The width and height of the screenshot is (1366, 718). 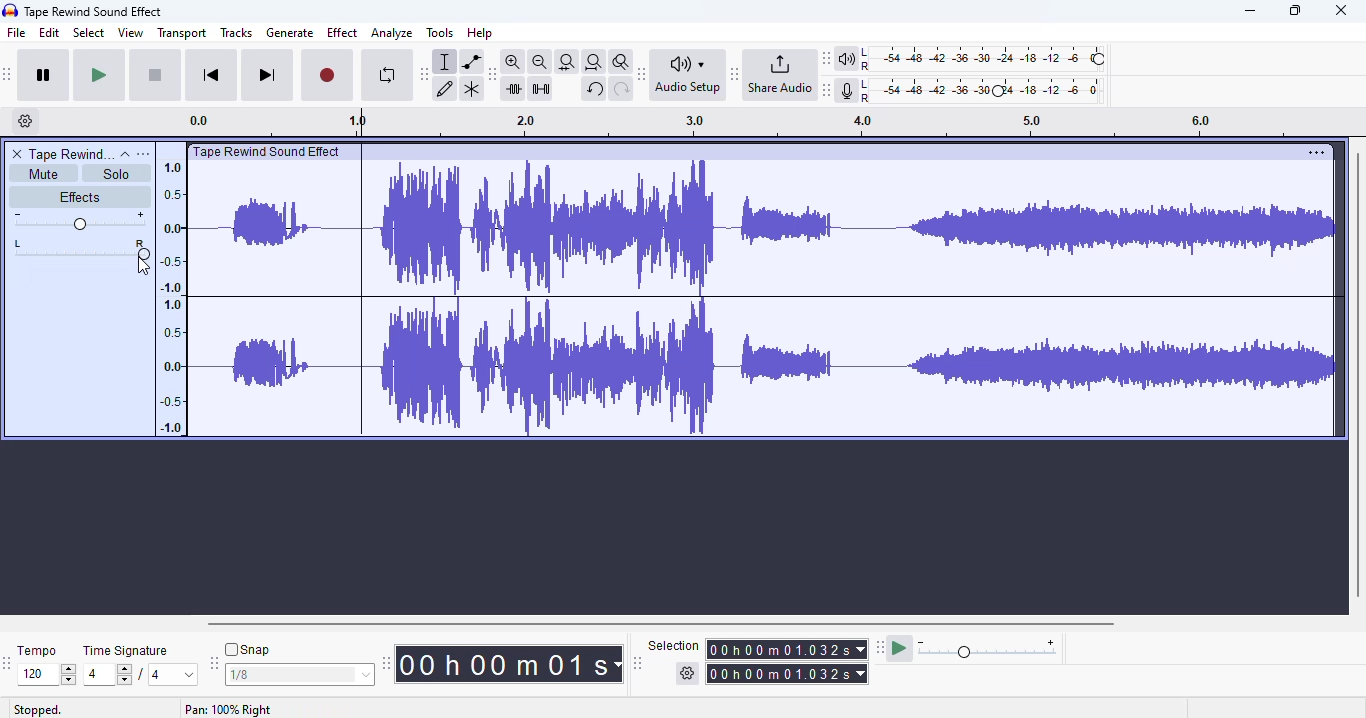 What do you see at coordinates (343, 33) in the screenshot?
I see `effect` at bounding box center [343, 33].